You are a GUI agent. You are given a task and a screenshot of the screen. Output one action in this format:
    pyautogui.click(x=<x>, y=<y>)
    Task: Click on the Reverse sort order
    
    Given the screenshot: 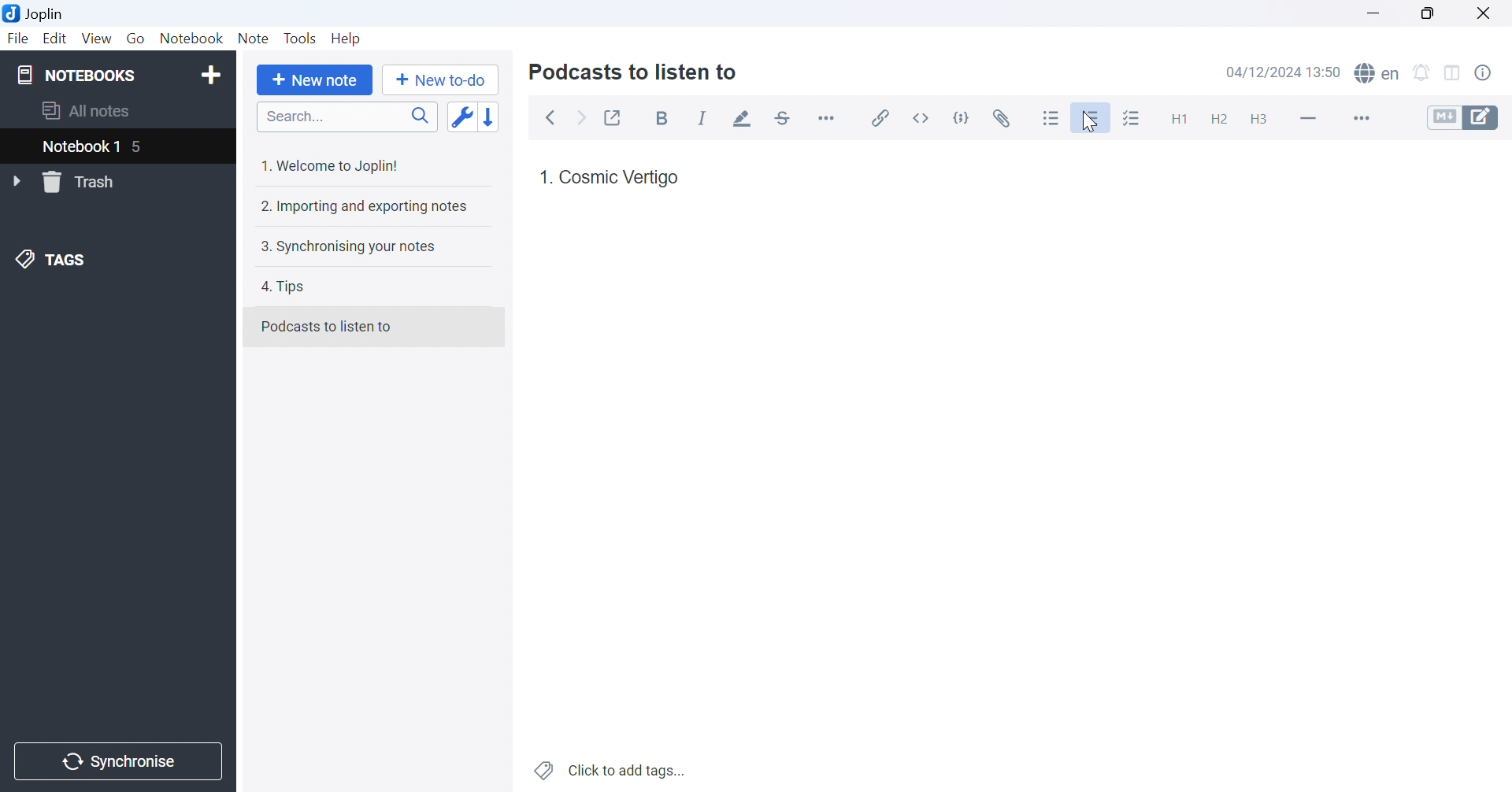 What is the action you would take?
    pyautogui.click(x=491, y=117)
    